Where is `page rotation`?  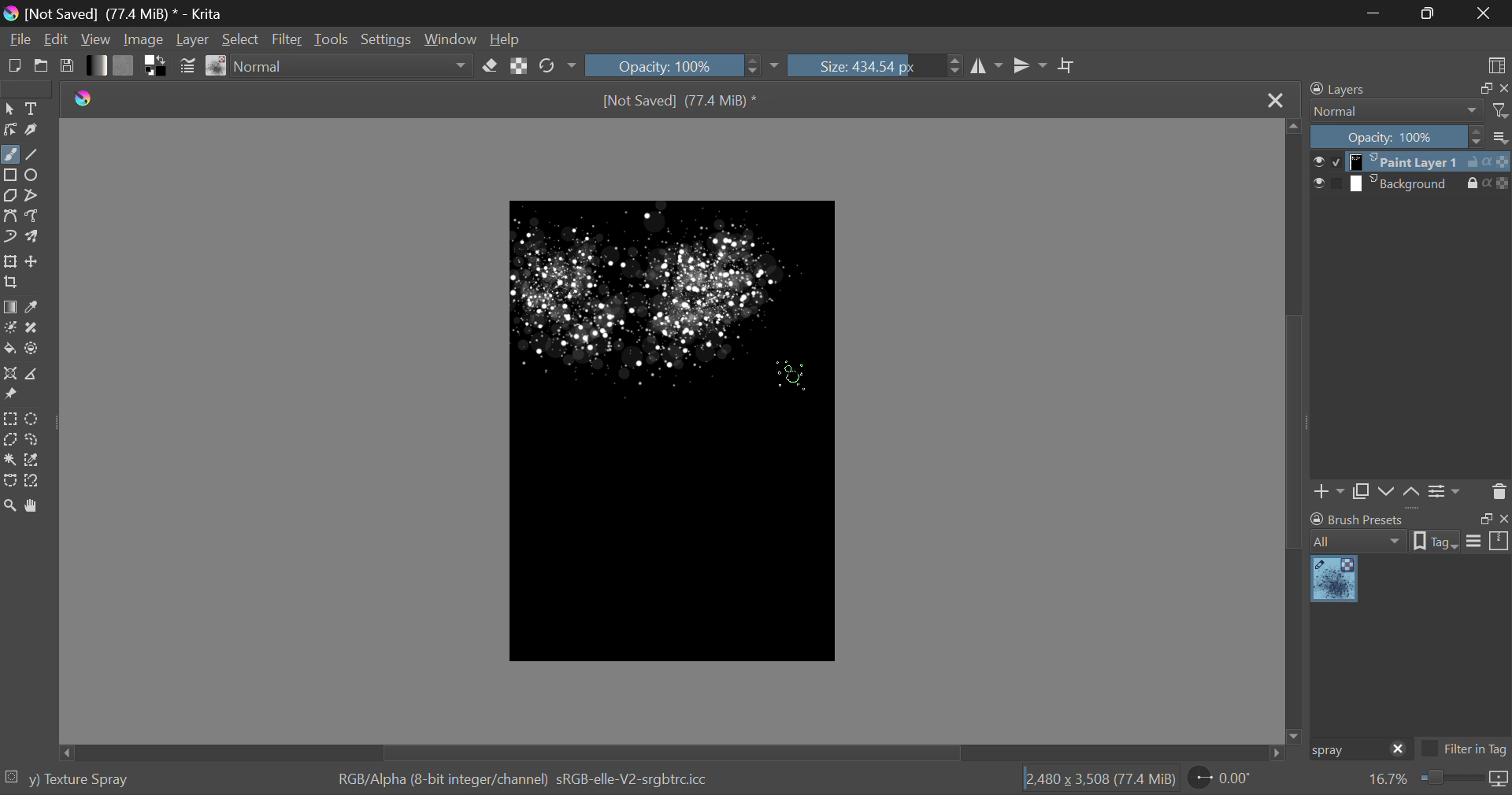
page rotation is located at coordinates (1221, 777).